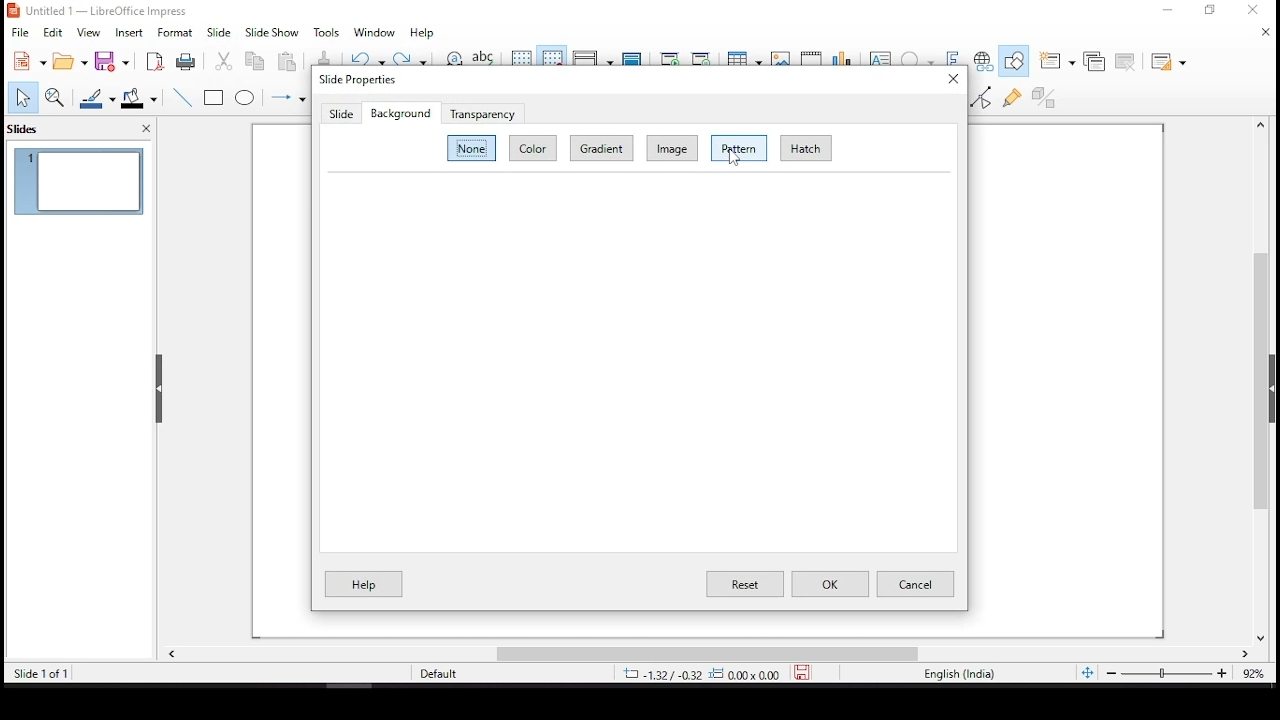 Image resolution: width=1280 pixels, height=720 pixels. I want to click on save, so click(807, 673).